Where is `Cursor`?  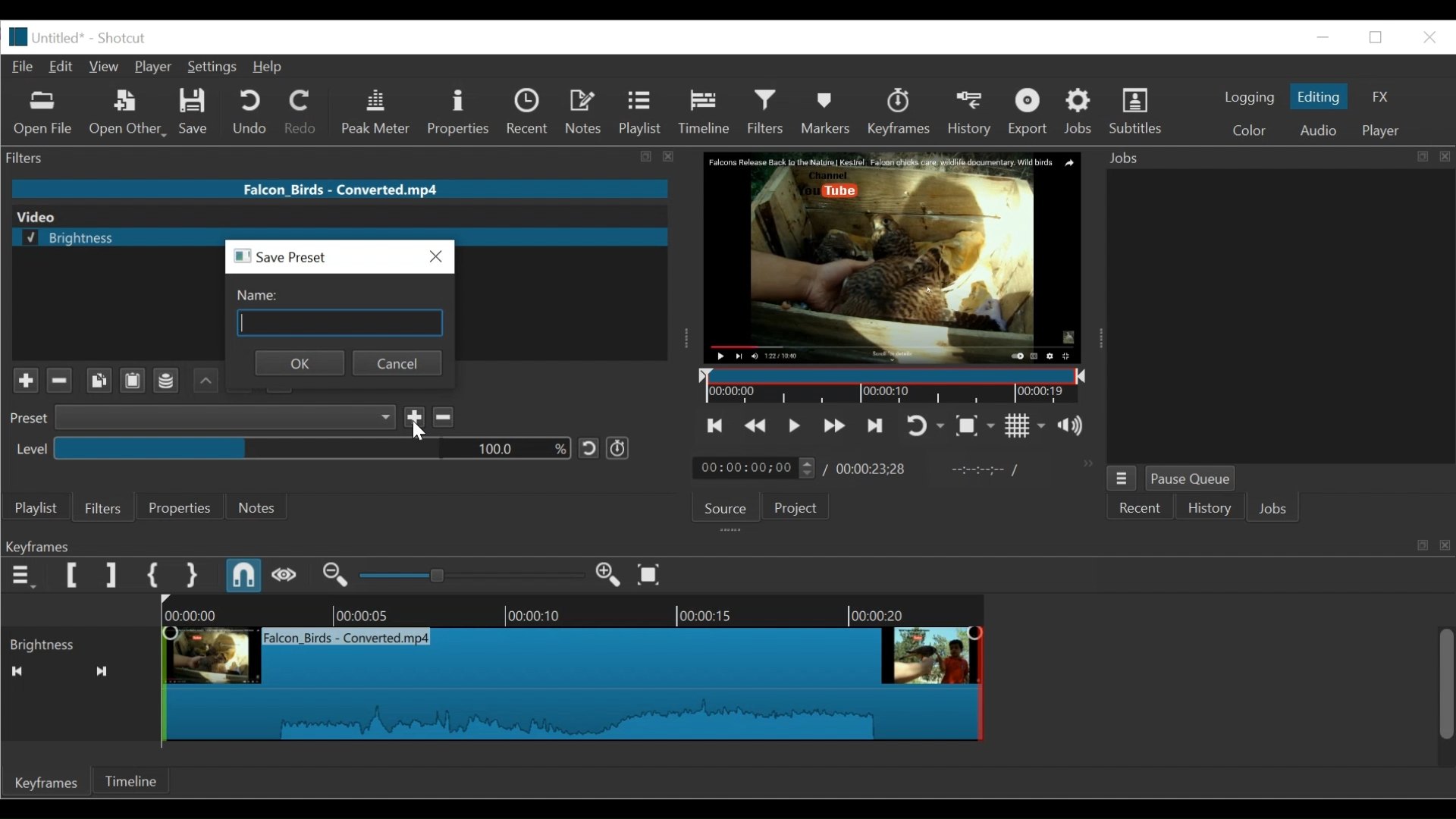
Cursor is located at coordinates (767, 127).